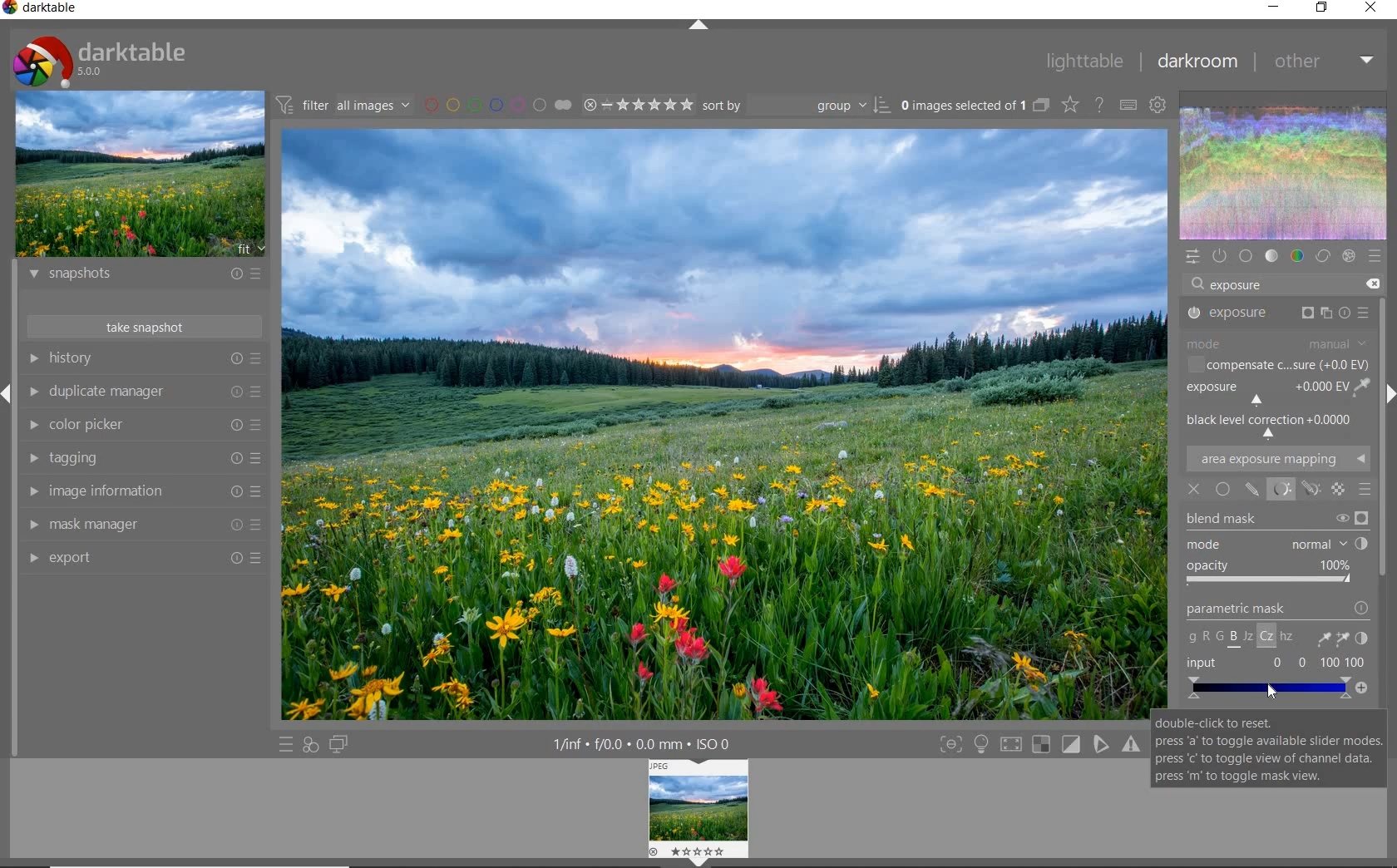 Image resolution: width=1397 pixels, height=868 pixels. Describe the element at coordinates (1364, 389) in the screenshot. I see `PICK GUI COLOR FROM IMAGE` at that location.